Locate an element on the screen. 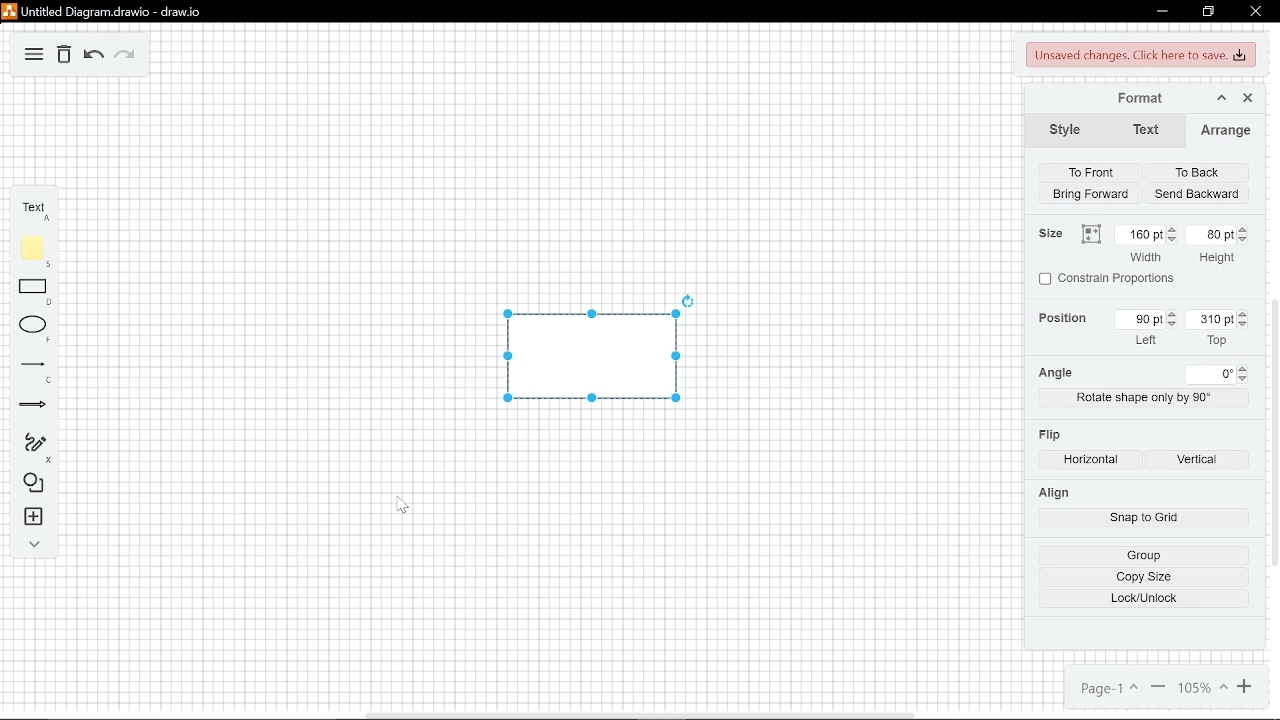 This screenshot has height=720, width=1280. redo is located at coordinates (126, 57).